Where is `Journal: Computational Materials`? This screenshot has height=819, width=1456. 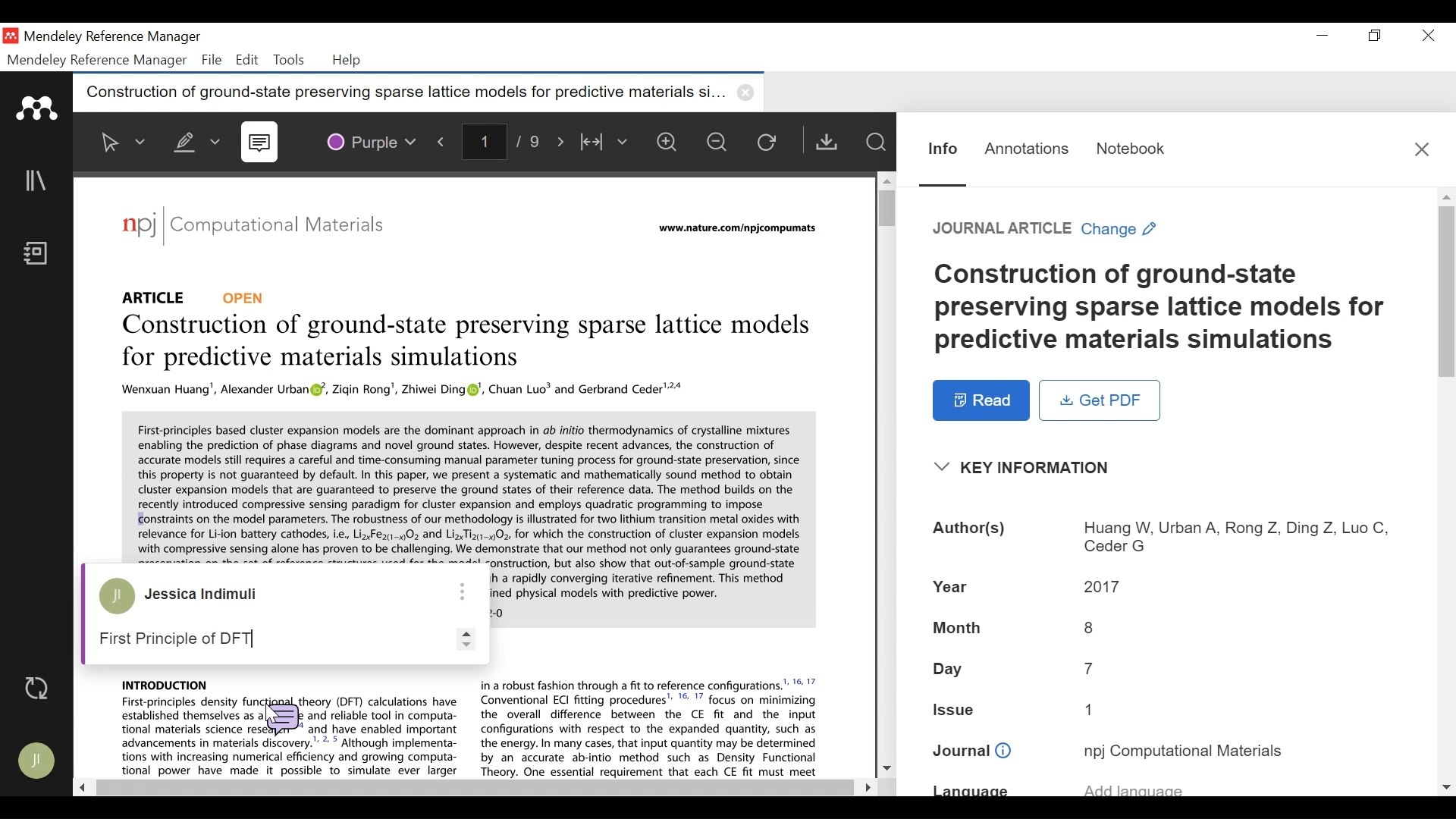
Journal: Computational Materials is located at coordinates (254, 227).